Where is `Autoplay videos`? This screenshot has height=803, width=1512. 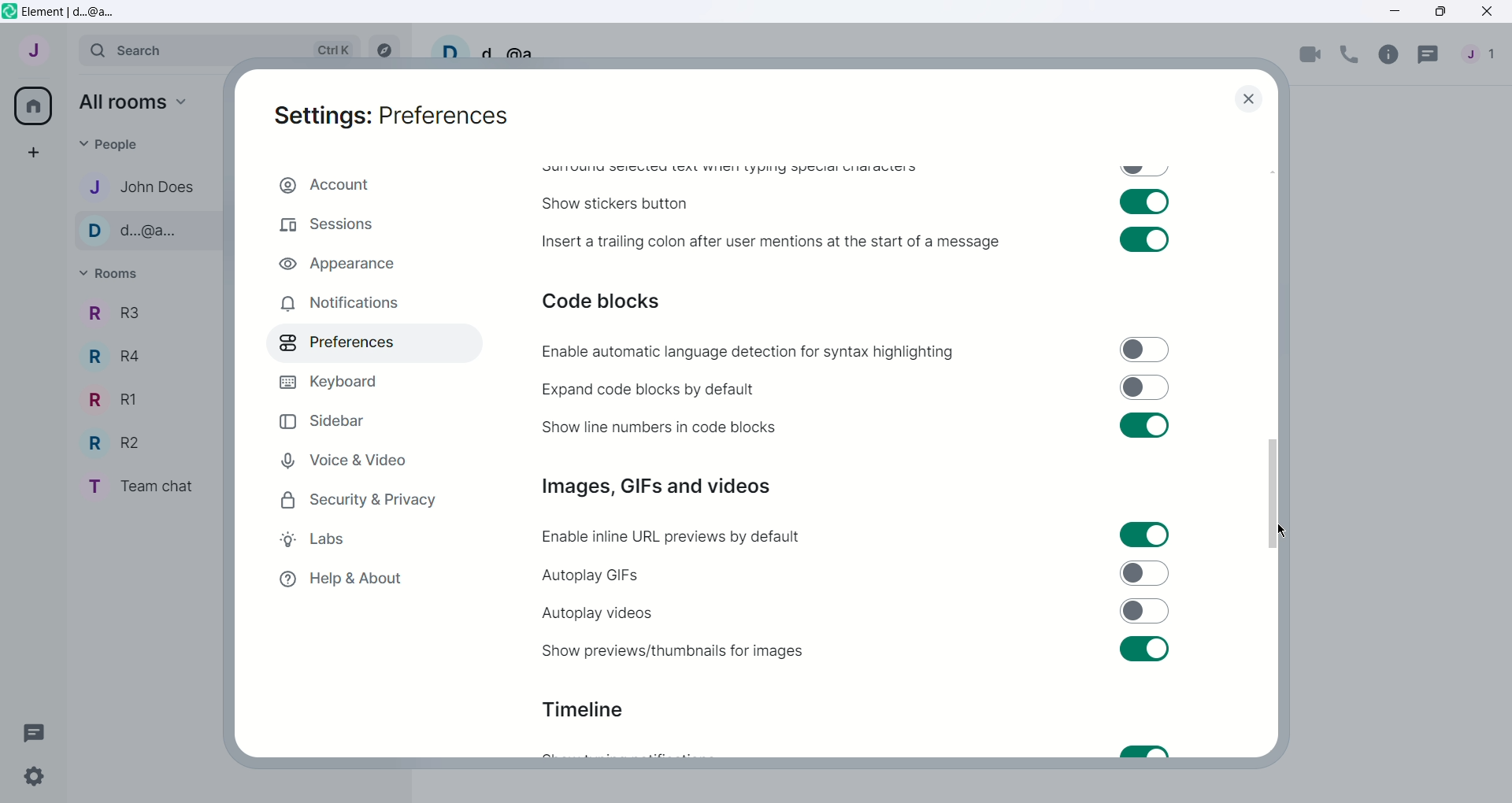 Autoplay videos is located at coordinates (596, 613).